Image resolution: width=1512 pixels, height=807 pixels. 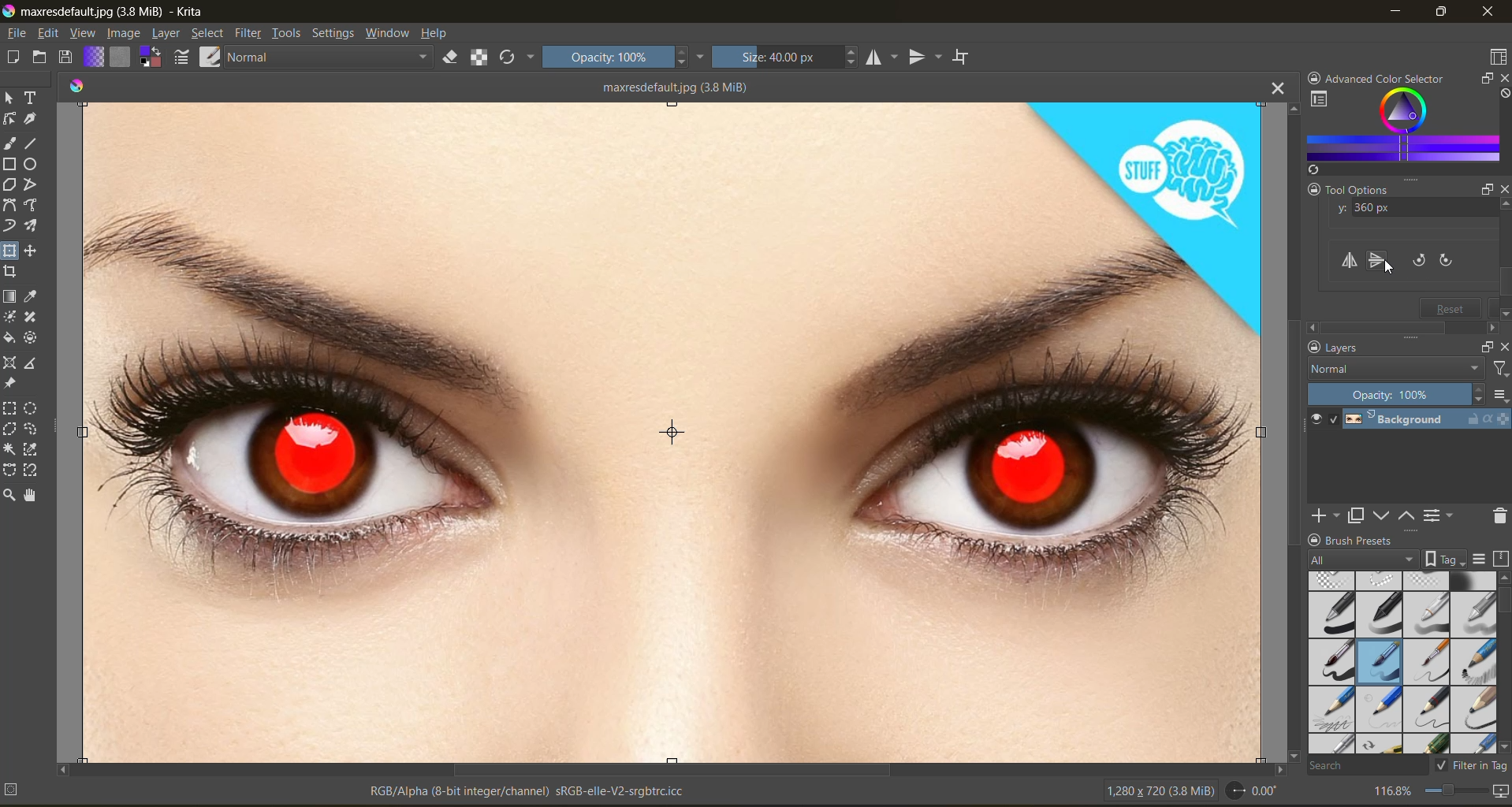 What do you see at coordinates (35, 449) in the screenshot?
I see `tool` at bounding box center [35, 449].